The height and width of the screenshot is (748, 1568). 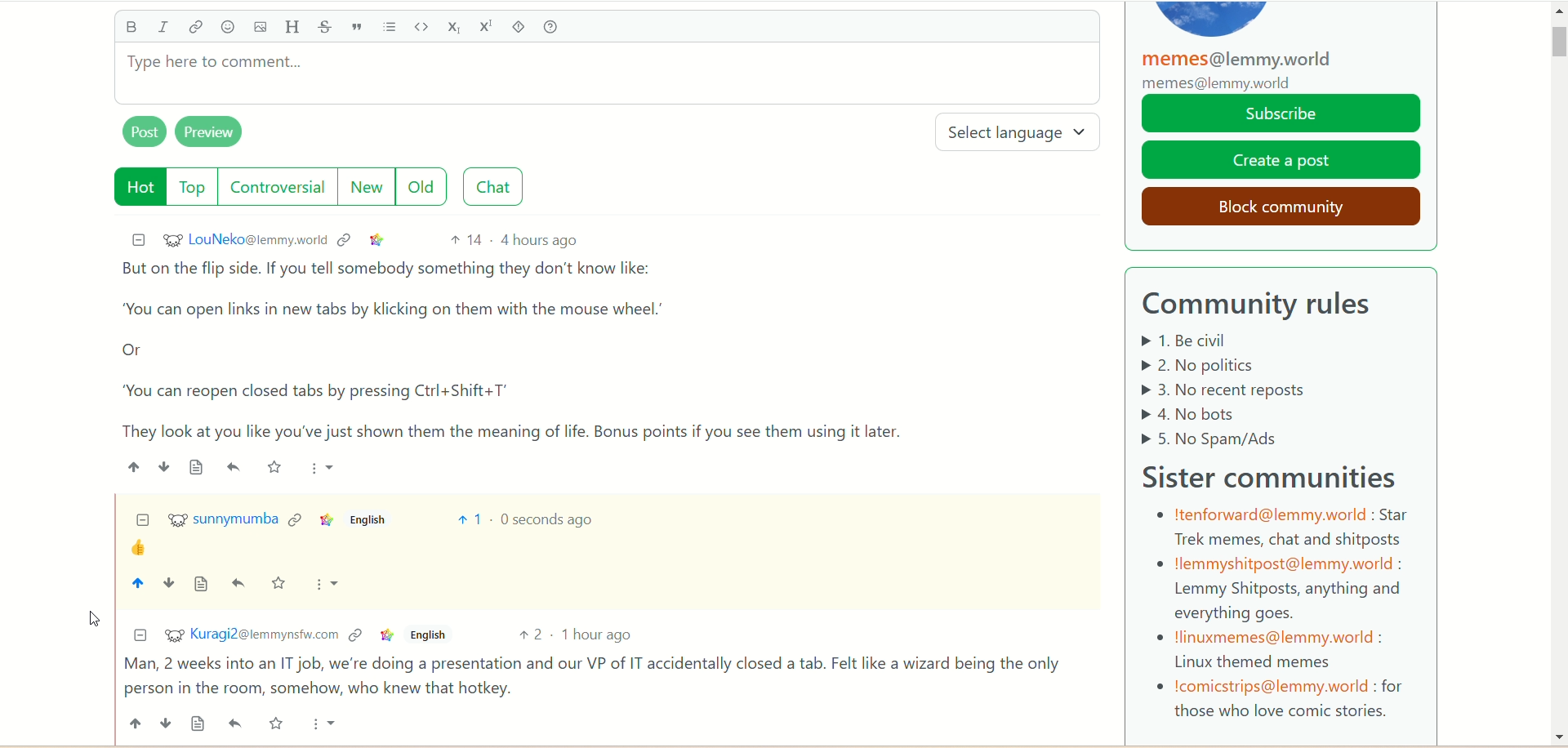 I want to click on emoji (thumbs up), so click(x=156, y=549).